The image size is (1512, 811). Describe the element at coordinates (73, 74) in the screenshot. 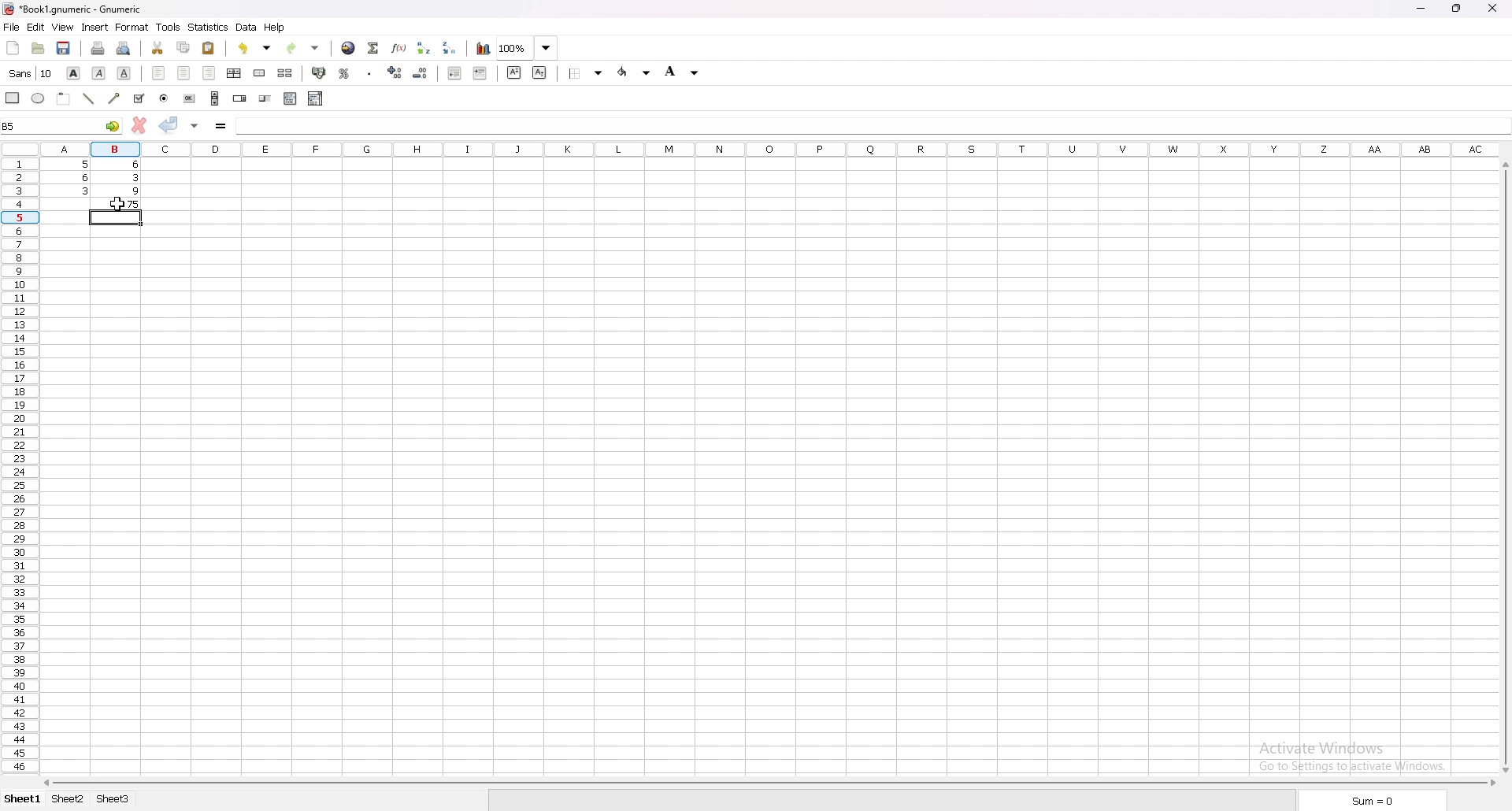

I see `bold` at that location.